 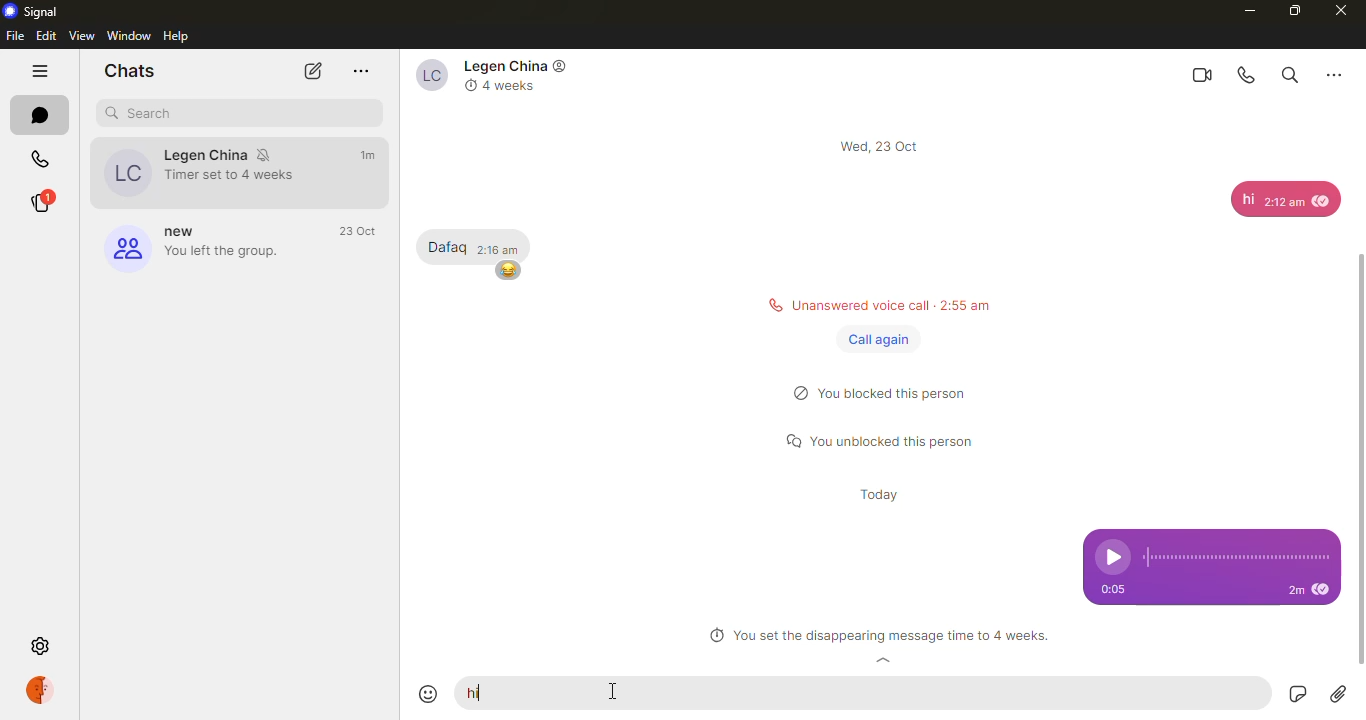 I want to click on chats, so click(x=129, y=70).